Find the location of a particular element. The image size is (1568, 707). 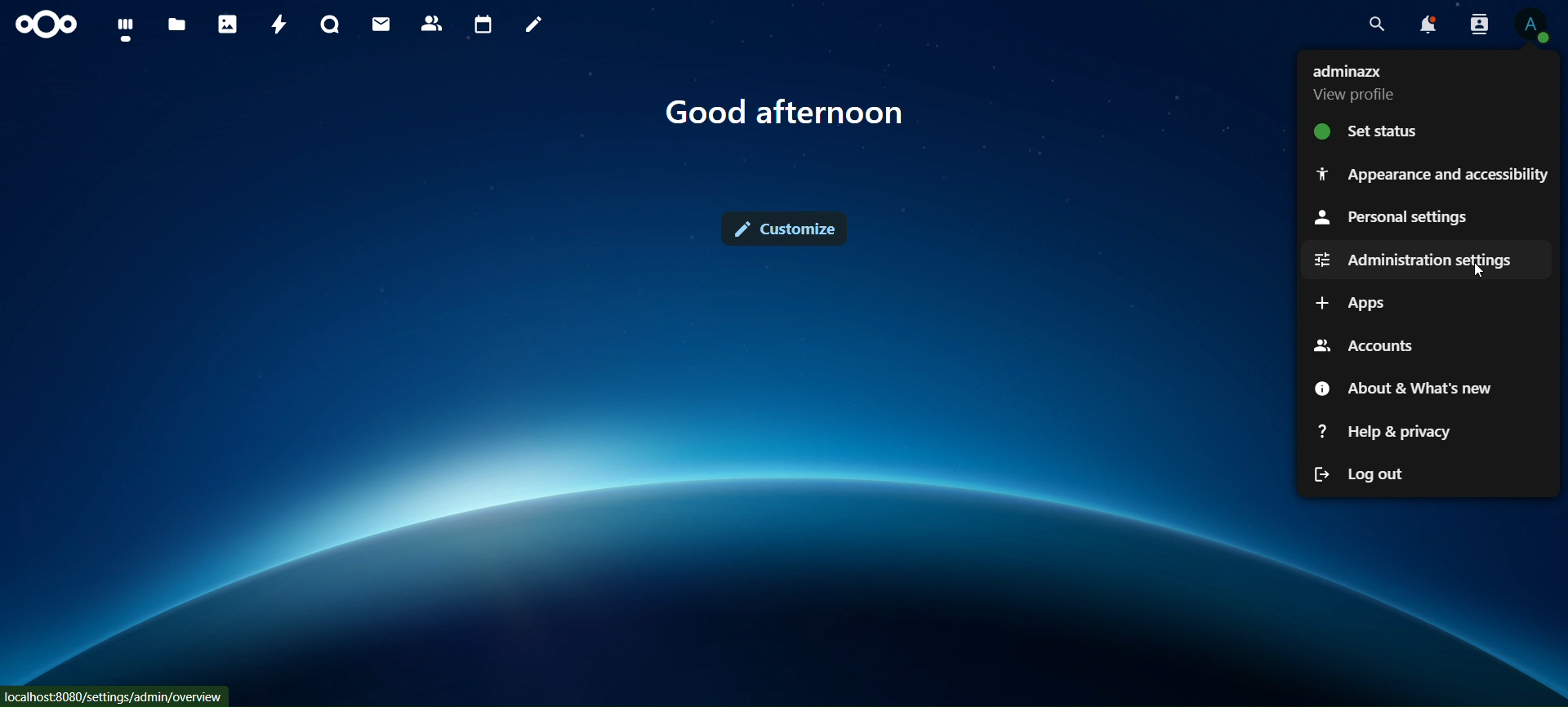

mail is located at coordinates (383, 23).